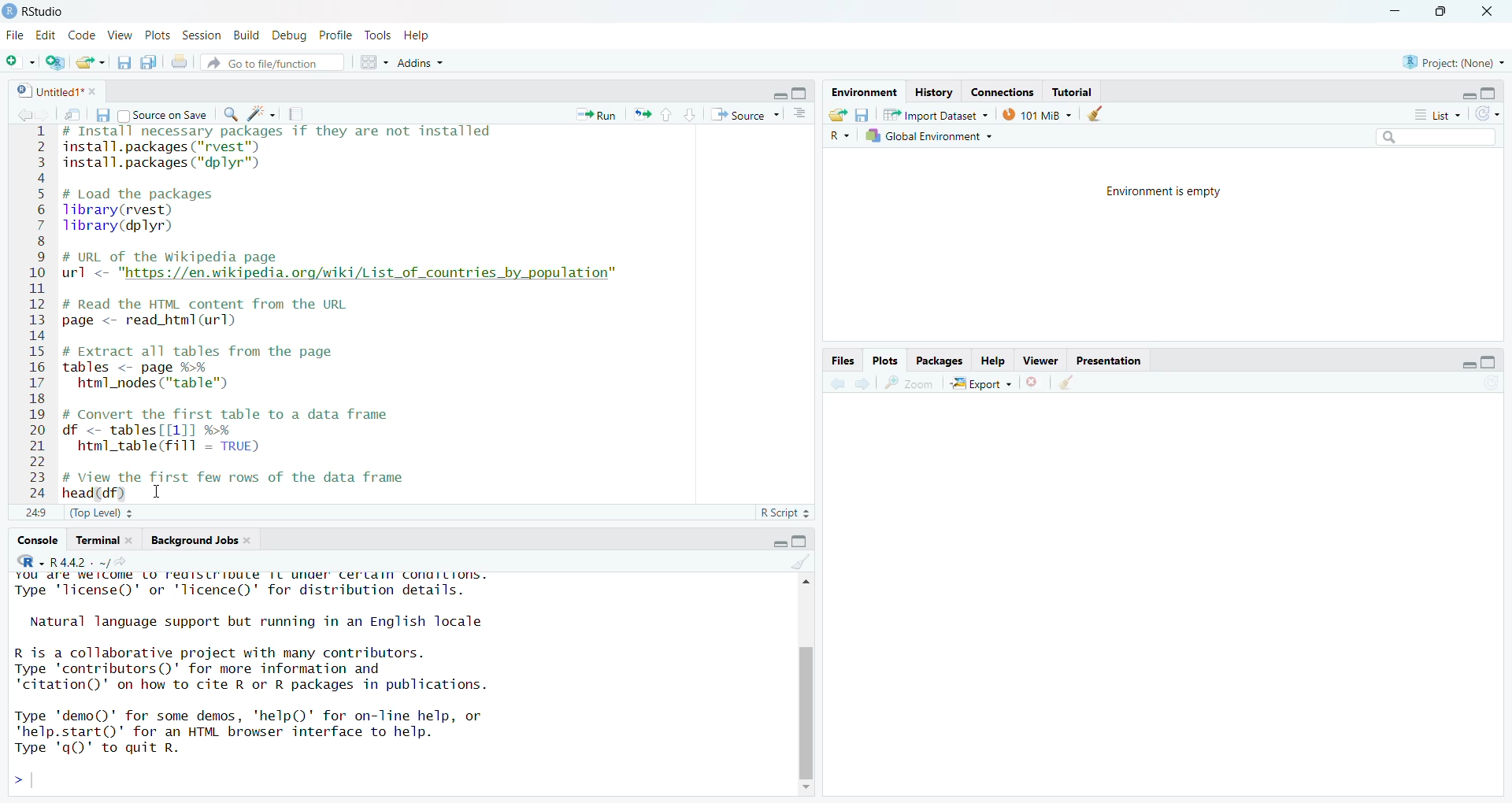 This screenshot has height=803, width=1512. What do you see at coordinates (930, 135) in the screenshot?
I see `Global Environment` at bounding box center [930, 135].